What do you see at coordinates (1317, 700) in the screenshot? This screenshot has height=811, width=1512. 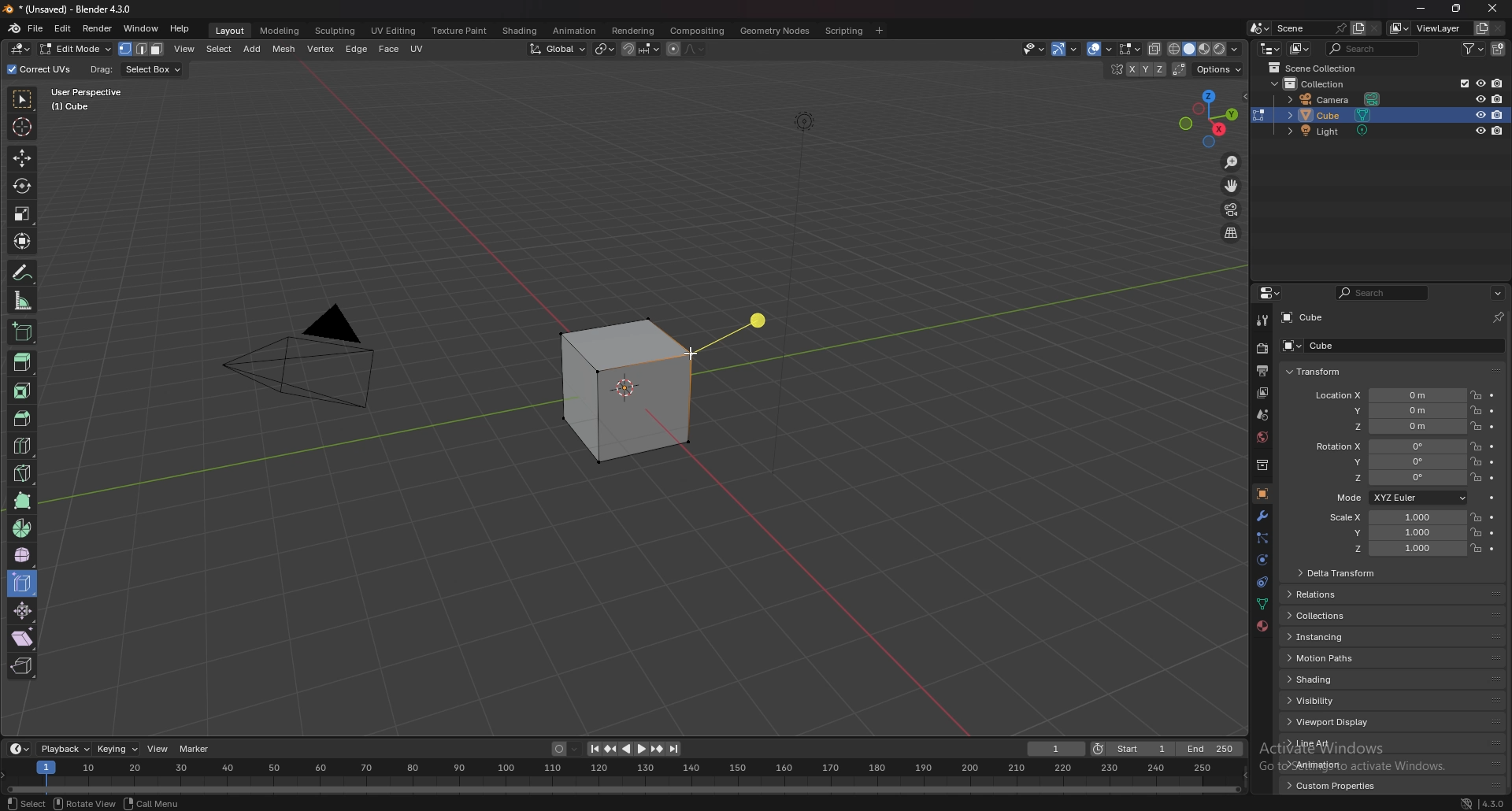 I see `visibility` at bounding box center [1317, 700].